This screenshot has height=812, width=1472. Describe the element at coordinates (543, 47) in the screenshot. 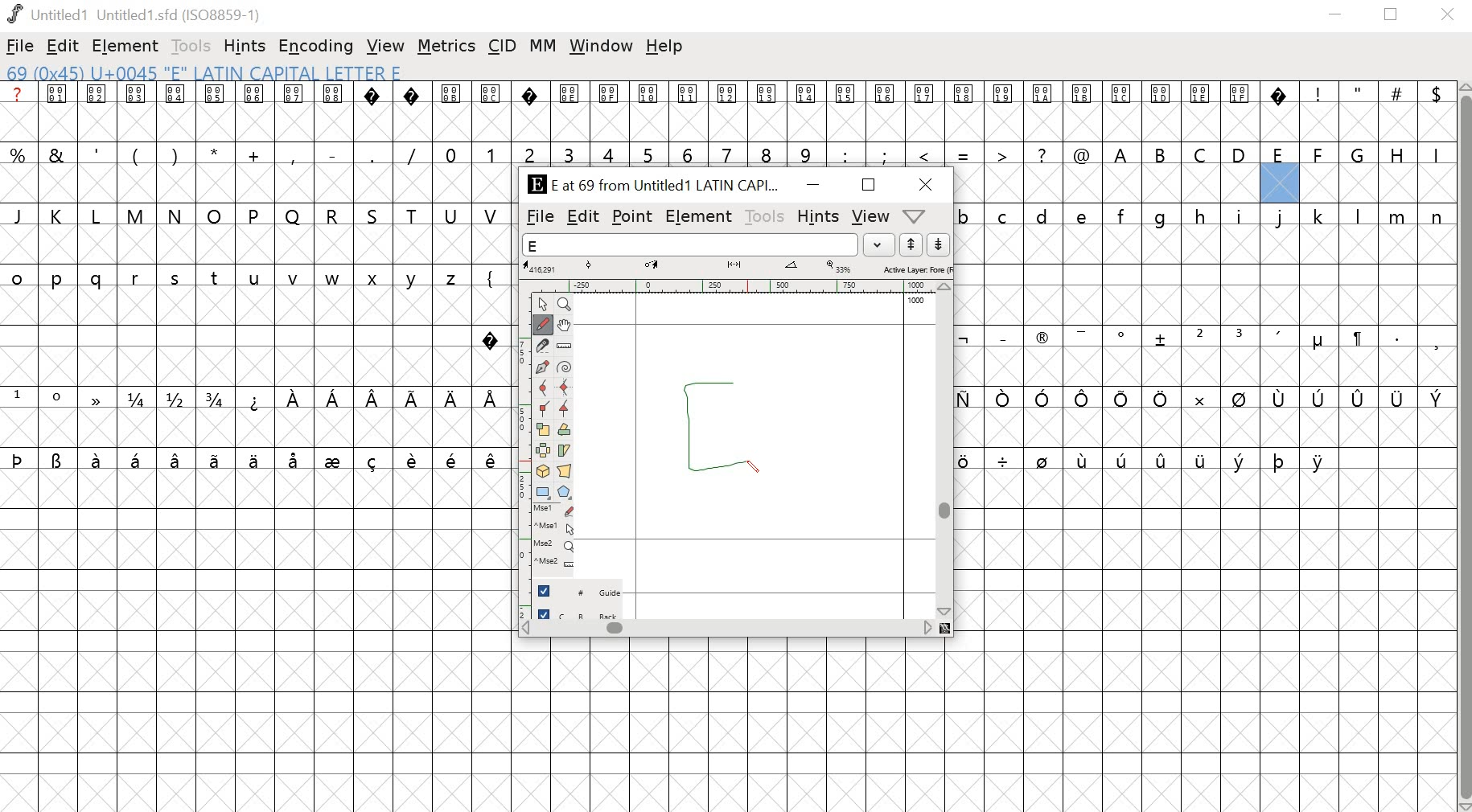

I see `MM` at that location.